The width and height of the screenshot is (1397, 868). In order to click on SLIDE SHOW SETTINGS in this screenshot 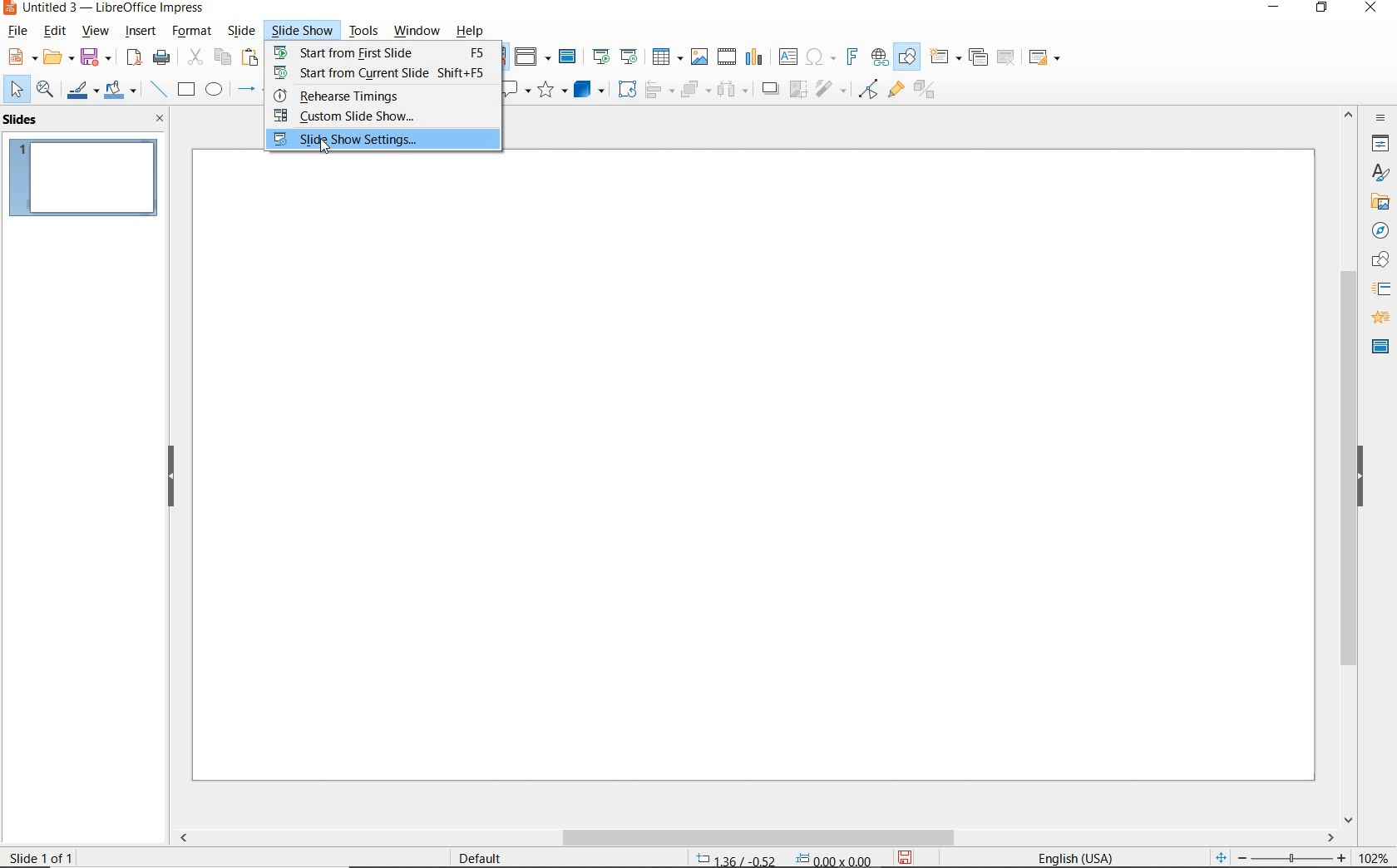, I will do `click(386, 142)`.